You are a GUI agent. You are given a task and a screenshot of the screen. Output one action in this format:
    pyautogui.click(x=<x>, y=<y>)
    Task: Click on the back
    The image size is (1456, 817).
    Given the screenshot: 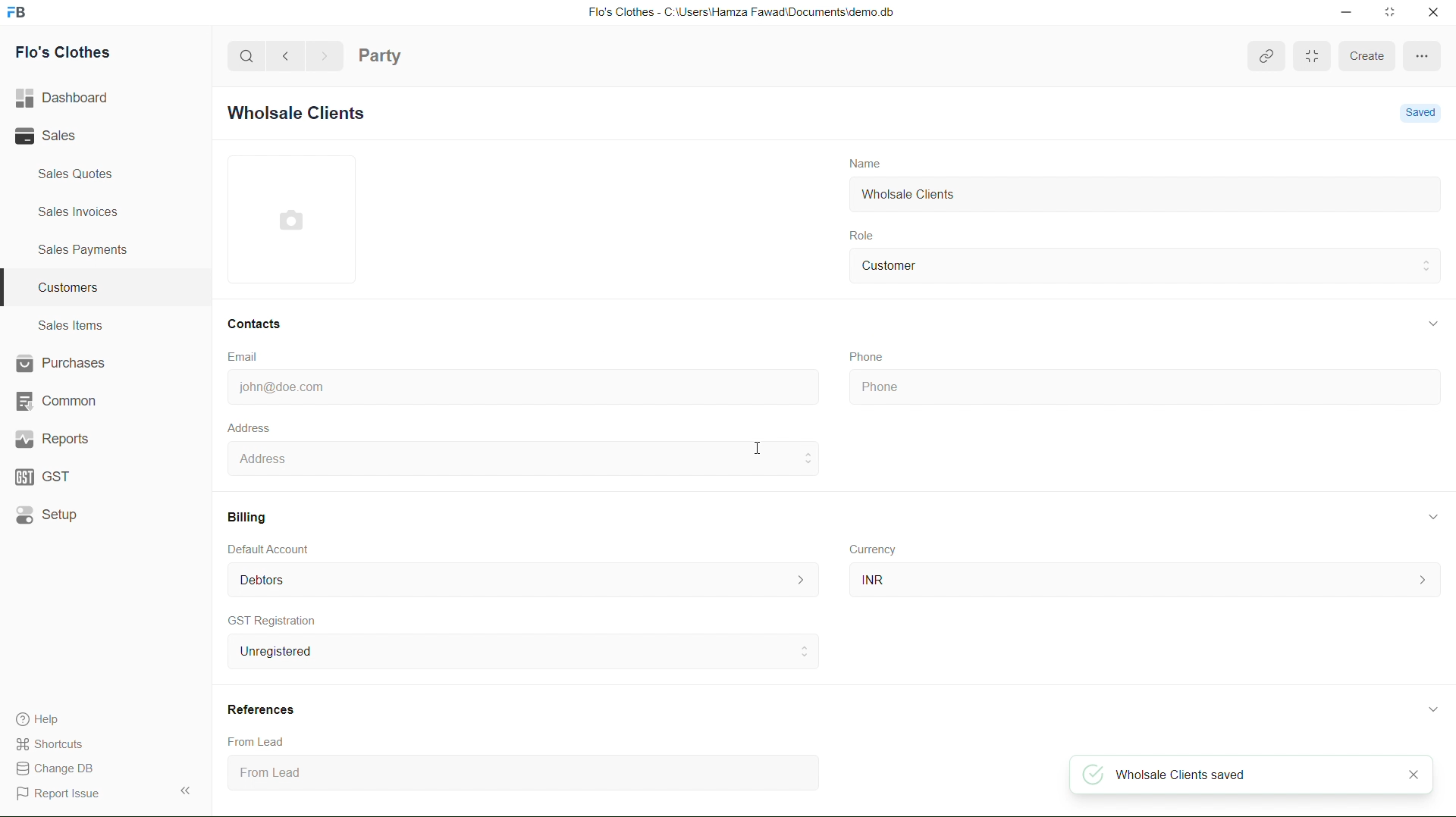 What is the action you would take?
    pyautogui.click(x=290, y=56)
    